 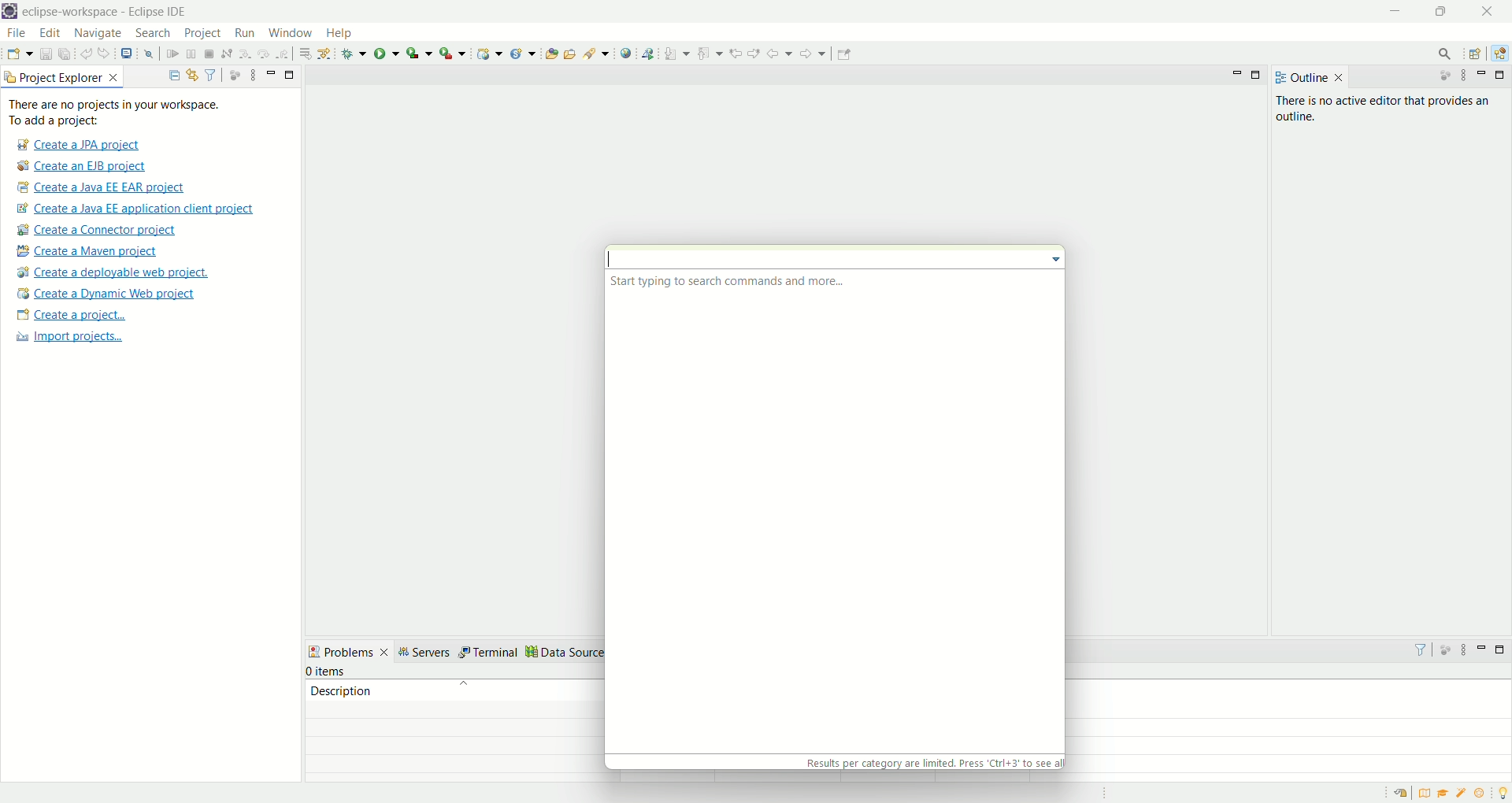 What do you see at coordinates (302, 53) in the screenshot?
I see `drop to frames` at bounding box center [302, 53].